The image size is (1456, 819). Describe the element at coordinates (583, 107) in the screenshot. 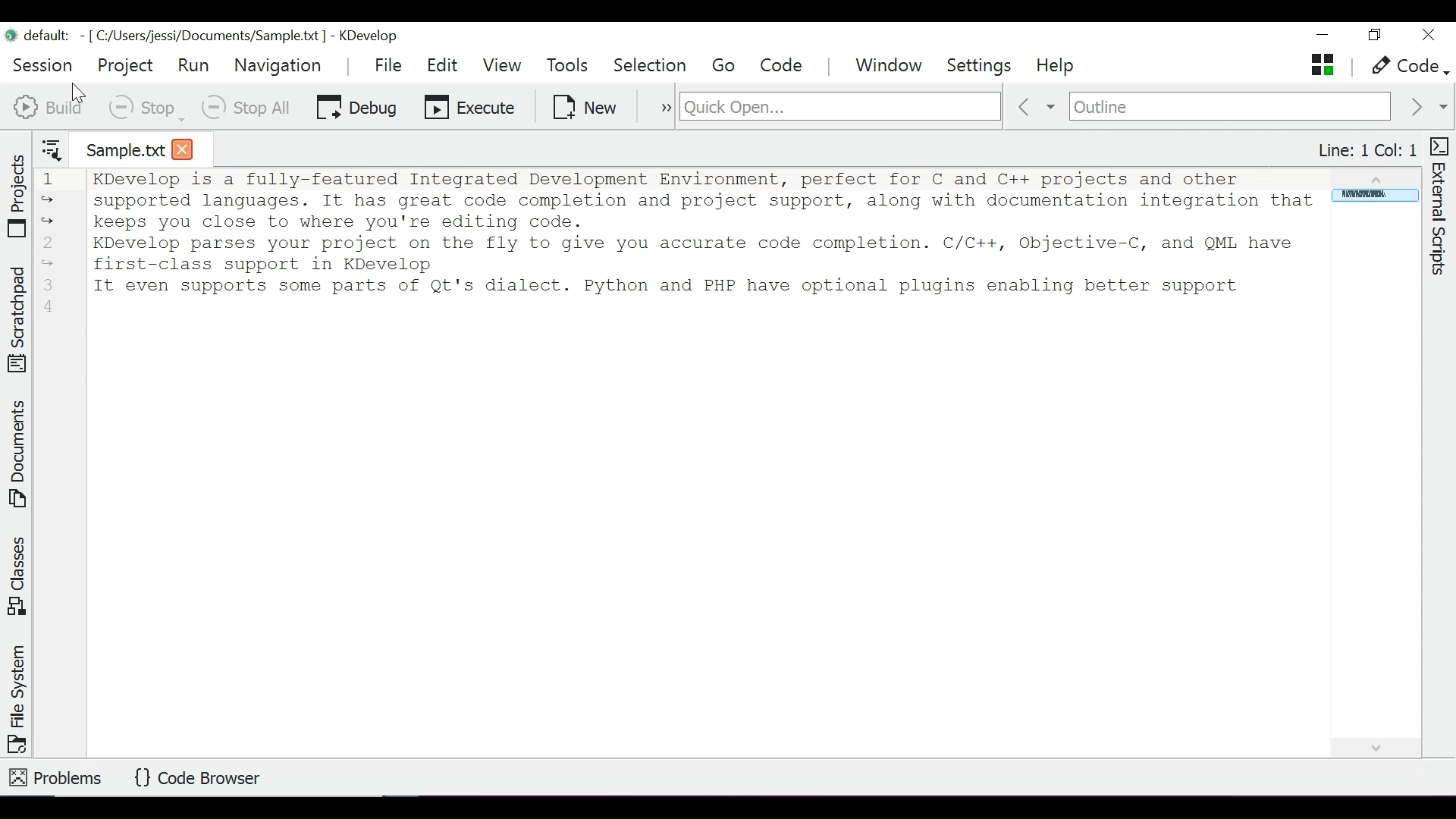

I see `New` at that location.